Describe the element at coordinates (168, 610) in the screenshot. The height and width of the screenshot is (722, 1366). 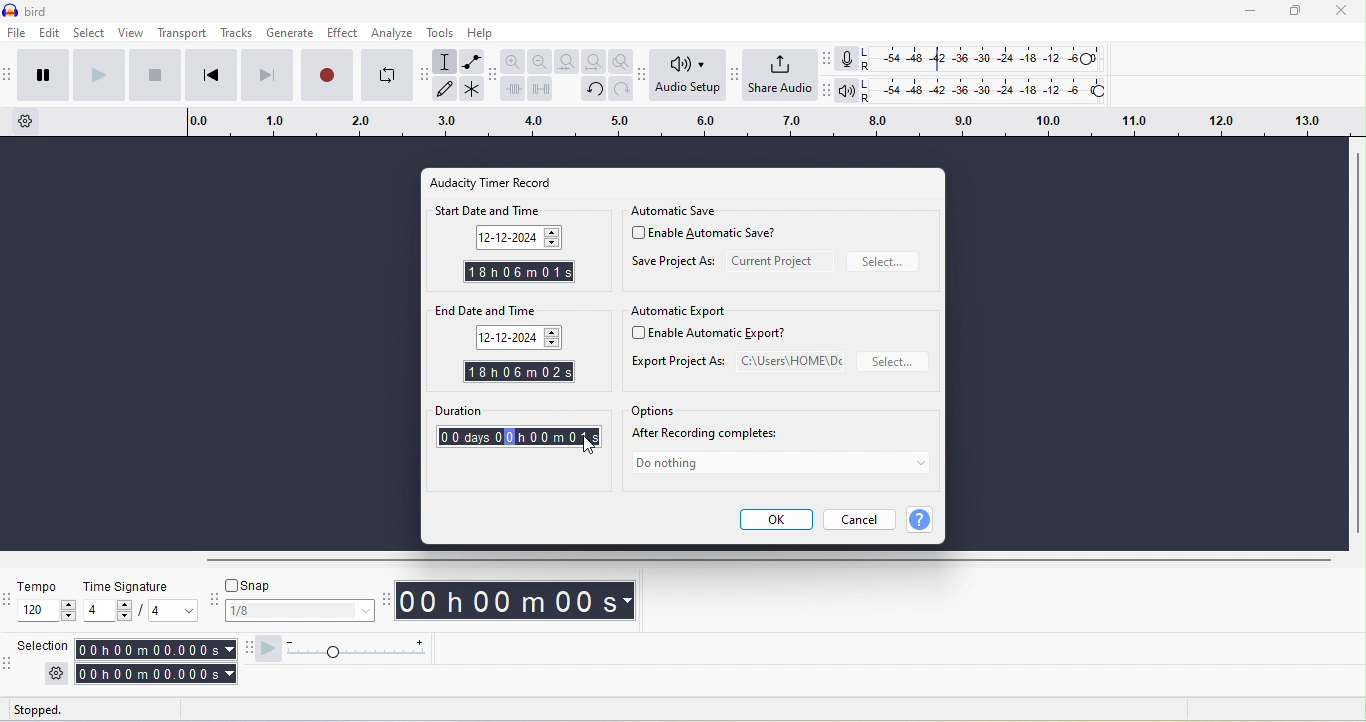
I see `value` at that location.